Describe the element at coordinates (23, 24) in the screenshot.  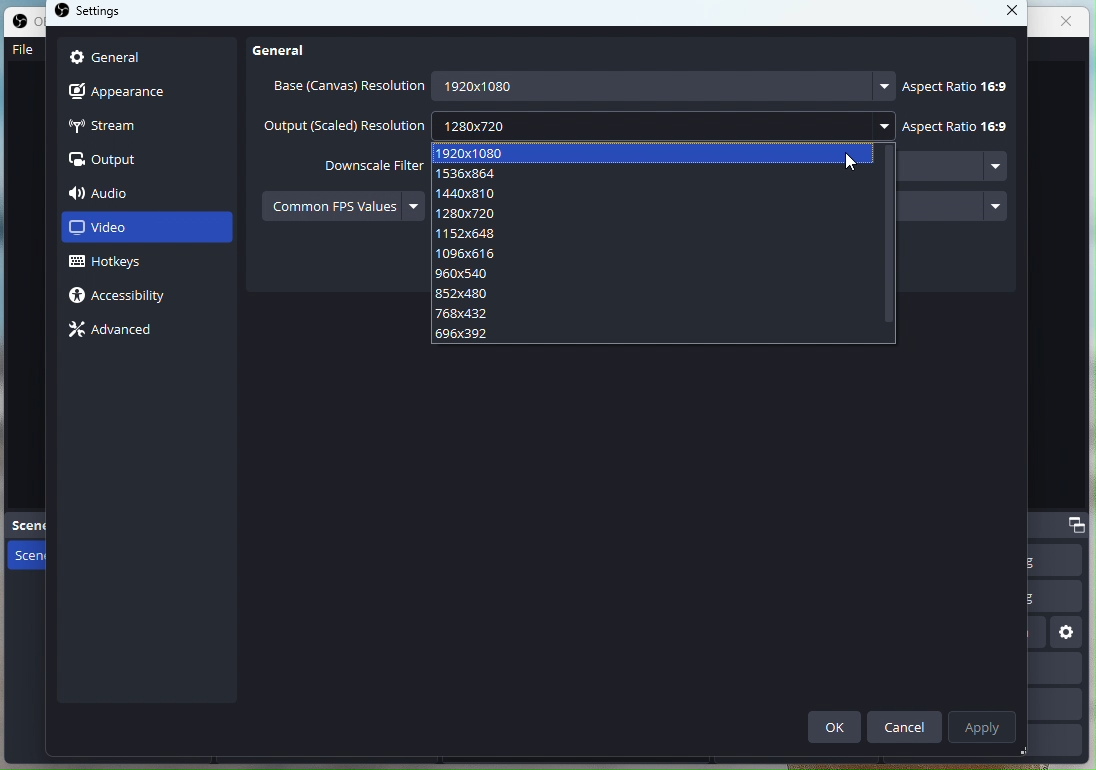
I see `OBS studio logo` at that location.